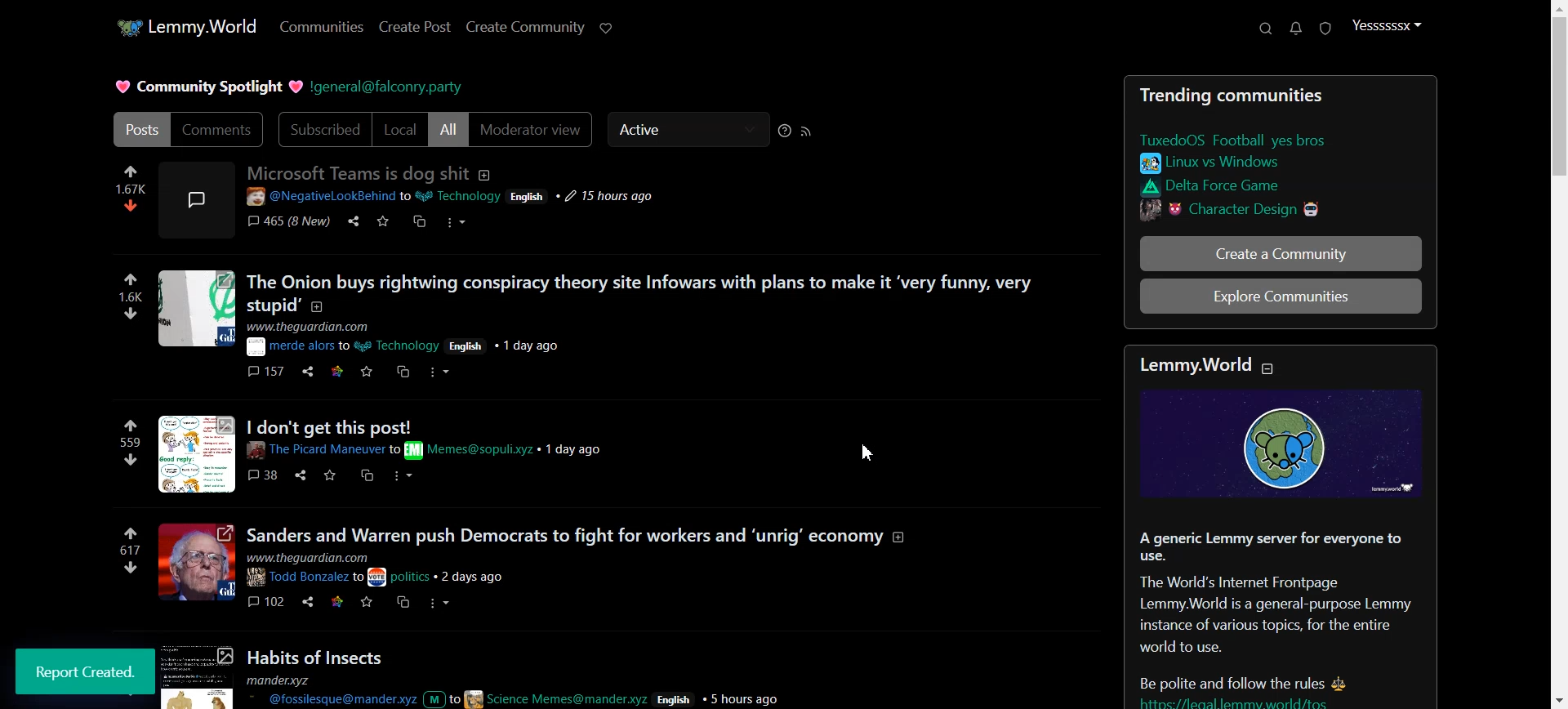 The height and width of the screenshot is (709, 1568). Describe the element at coordinates (308, 600) in the screenshot. I see `share` at that location.